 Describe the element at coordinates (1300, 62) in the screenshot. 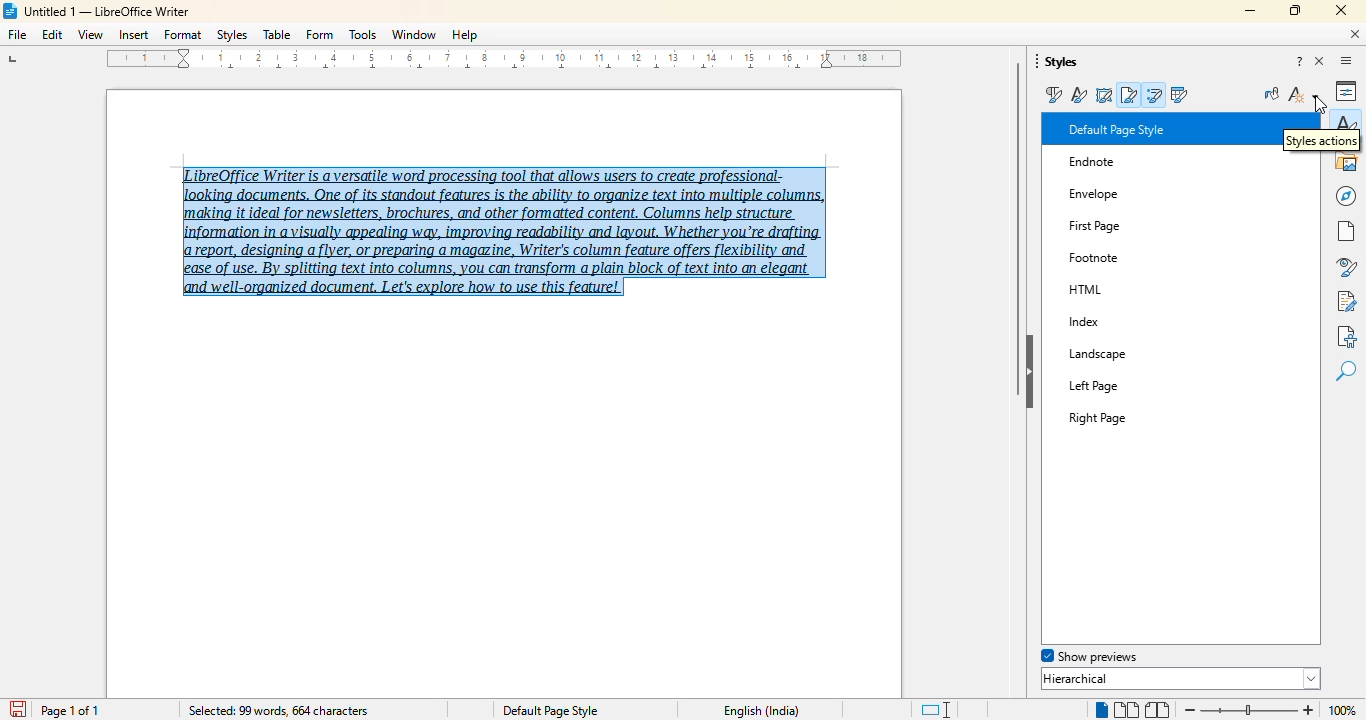

I see `help about this sidebar deck` at that location.